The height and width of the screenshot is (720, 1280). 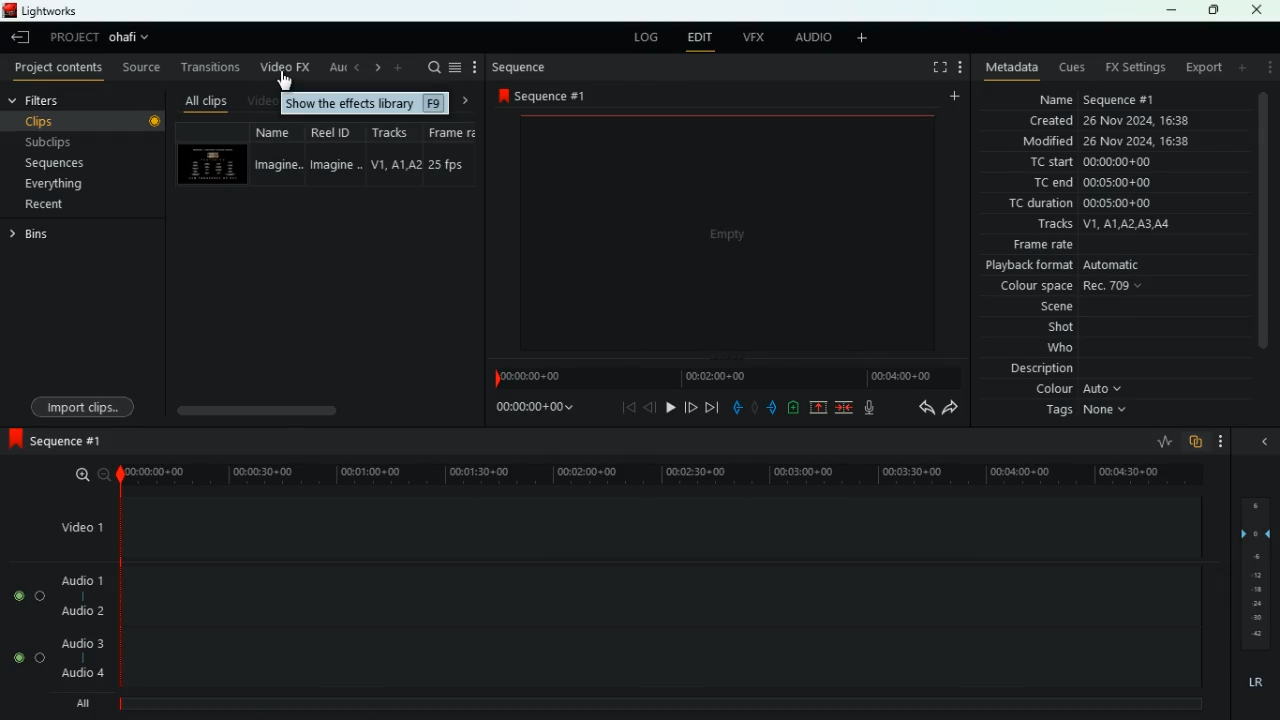 What do you see at coordinates (653, 471) in the screenshot?
I see `time` at bounding box center [653, 471].